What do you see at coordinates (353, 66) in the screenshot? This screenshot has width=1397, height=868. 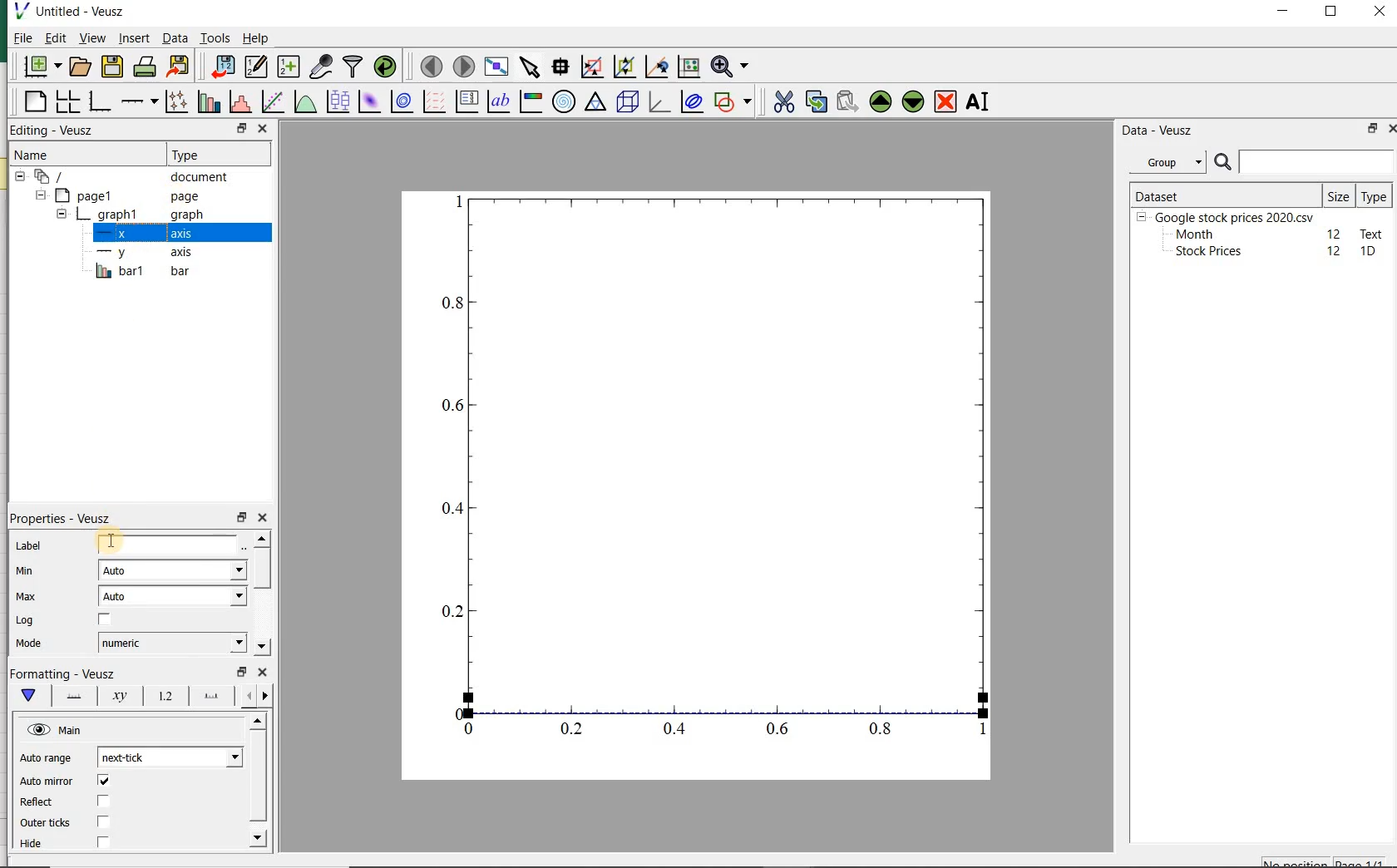 I see `filter data` at bounding box center [353, 66].